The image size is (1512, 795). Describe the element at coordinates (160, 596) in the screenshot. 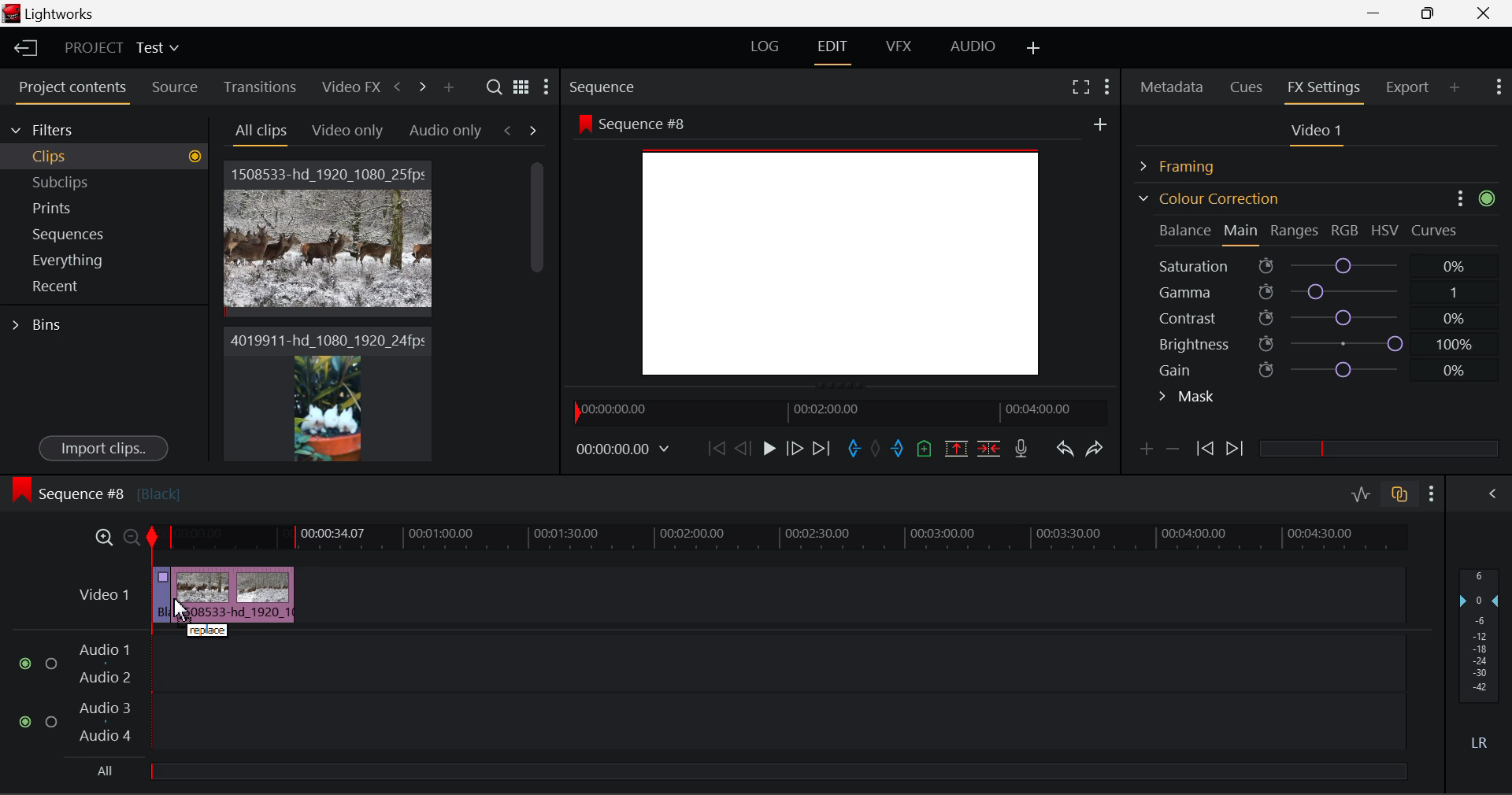

I see `Clip 1 Segment` at that location.